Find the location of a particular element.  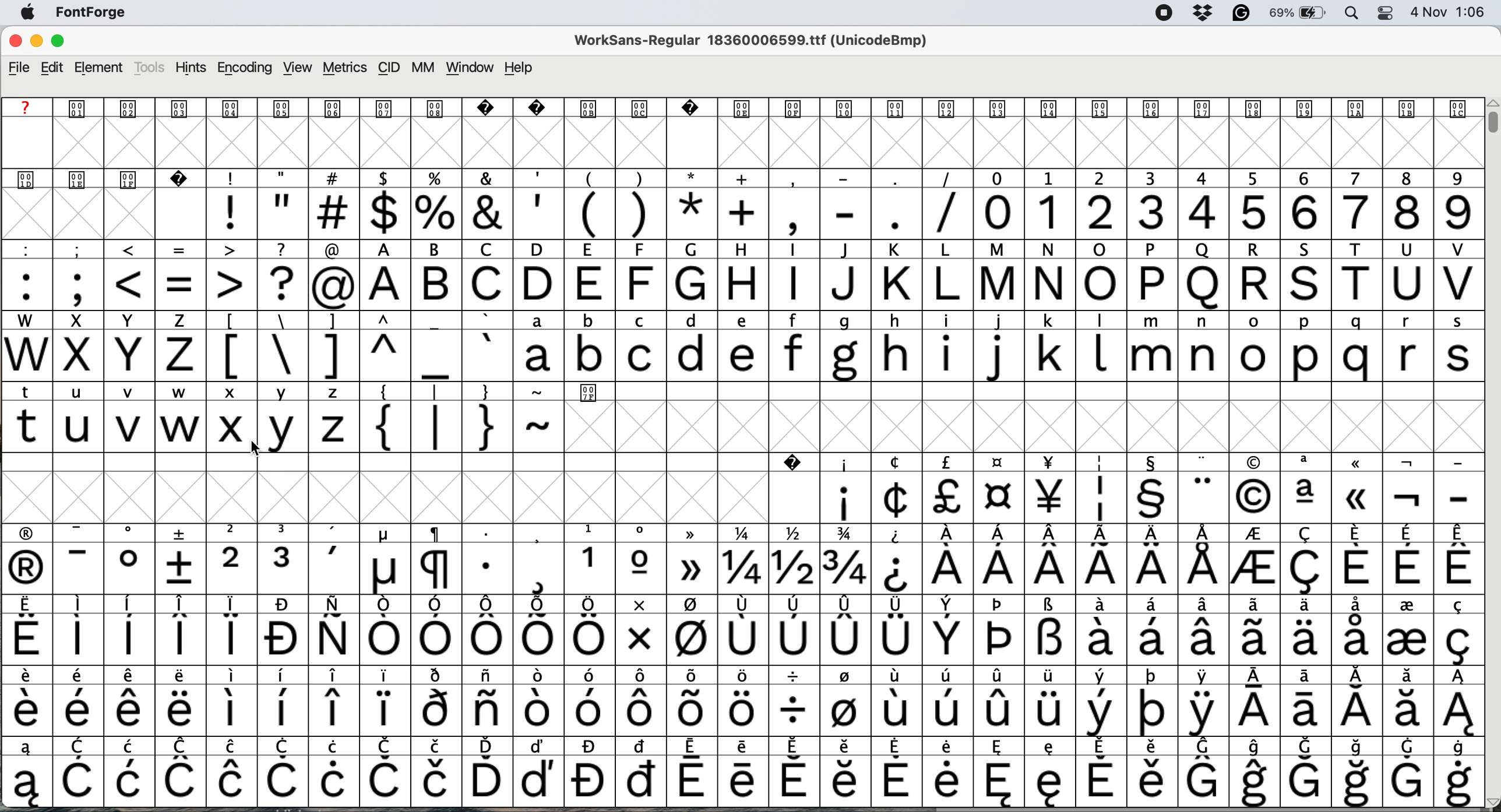

edit is located at coordinates (54, 67).